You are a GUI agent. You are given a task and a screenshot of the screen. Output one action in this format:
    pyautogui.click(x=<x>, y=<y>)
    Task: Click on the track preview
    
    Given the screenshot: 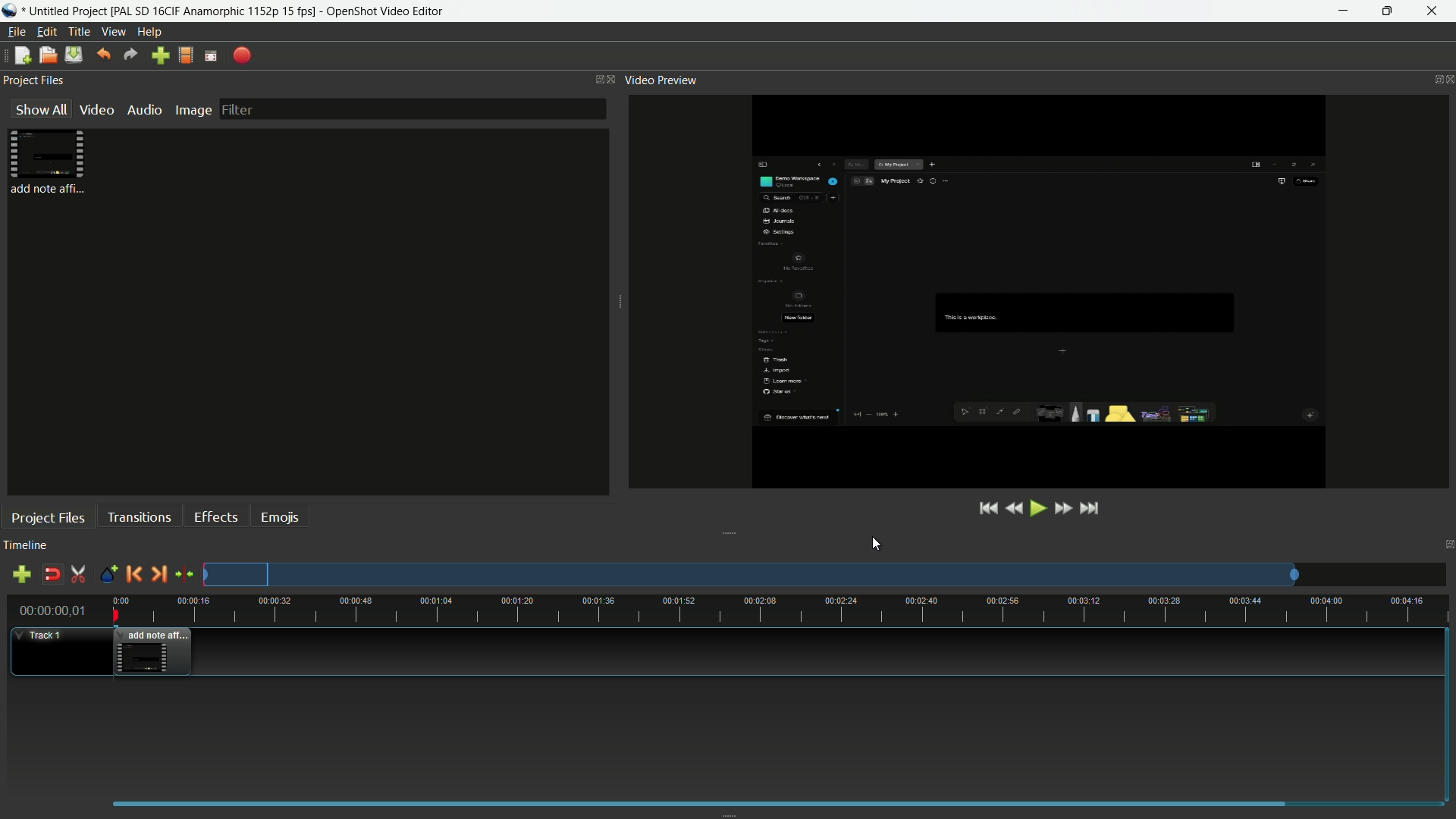 What is the action you would take?
    pyautogui.click(x=824, y=574)
    